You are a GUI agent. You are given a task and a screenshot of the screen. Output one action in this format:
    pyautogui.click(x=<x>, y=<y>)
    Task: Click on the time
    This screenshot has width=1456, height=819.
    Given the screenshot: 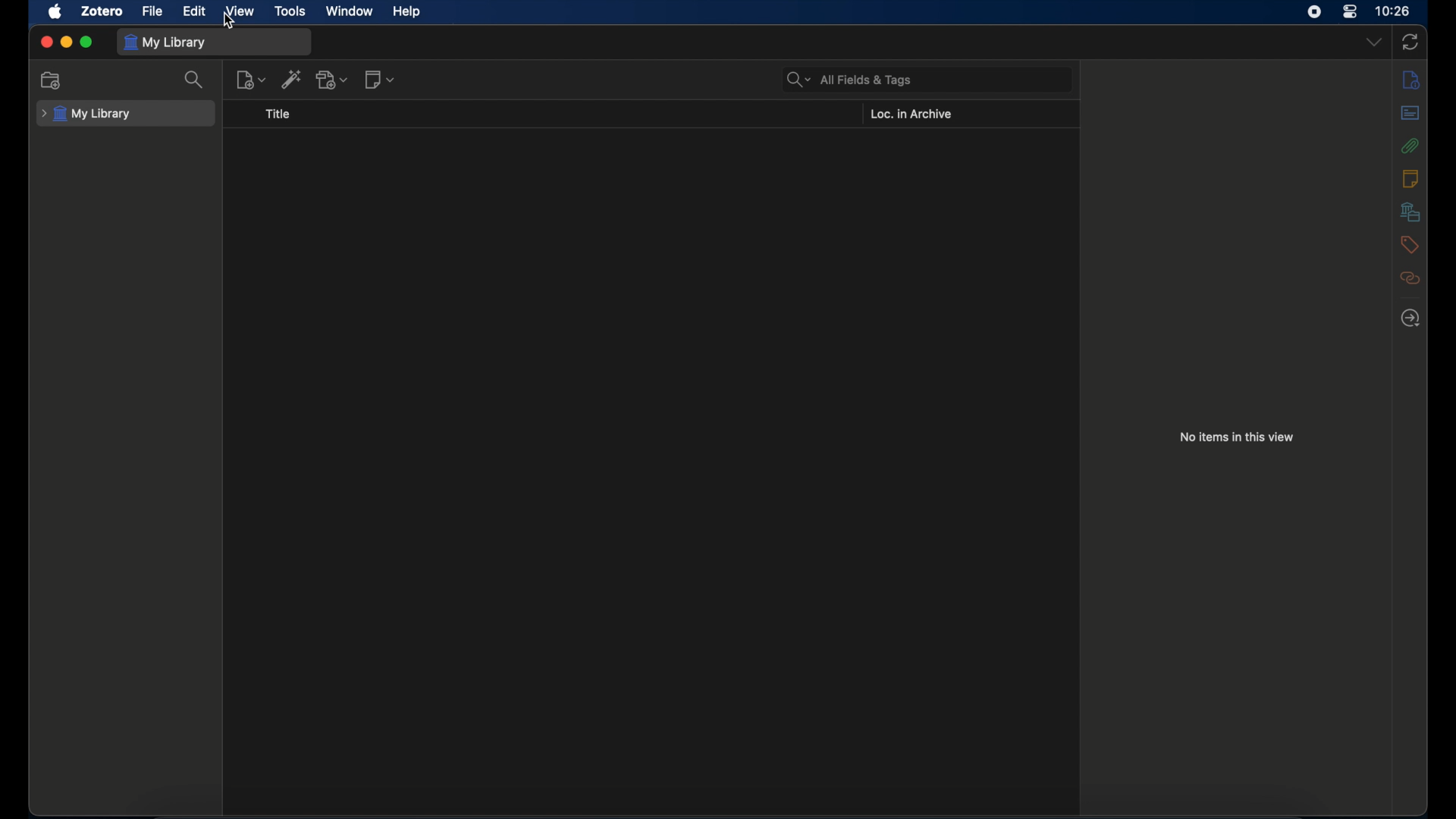 What is the action you would take?
    pyautogui.click(x=1394, y=10)
    